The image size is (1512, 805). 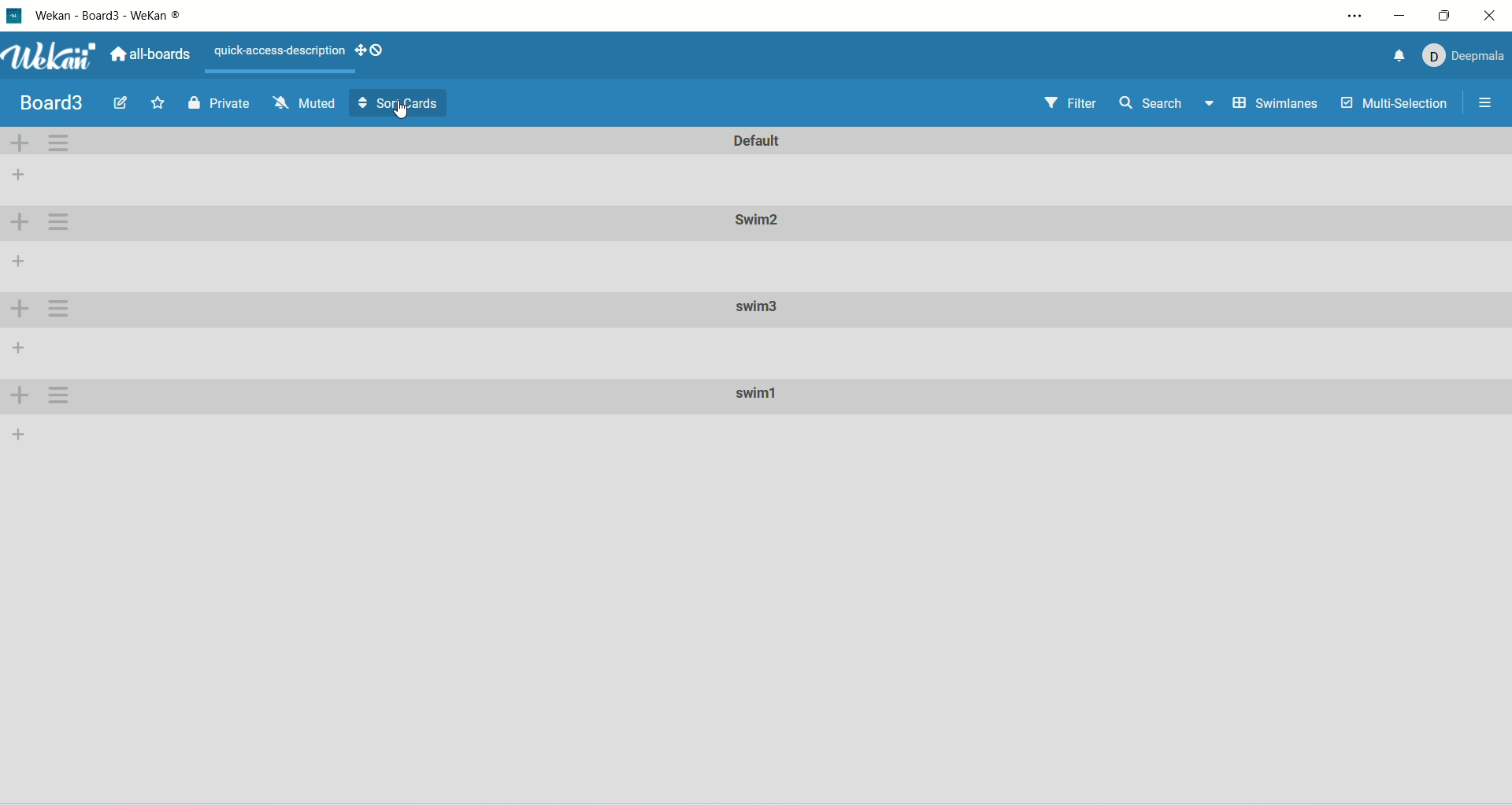 I want to click on search, so click(x=1168, y=103).